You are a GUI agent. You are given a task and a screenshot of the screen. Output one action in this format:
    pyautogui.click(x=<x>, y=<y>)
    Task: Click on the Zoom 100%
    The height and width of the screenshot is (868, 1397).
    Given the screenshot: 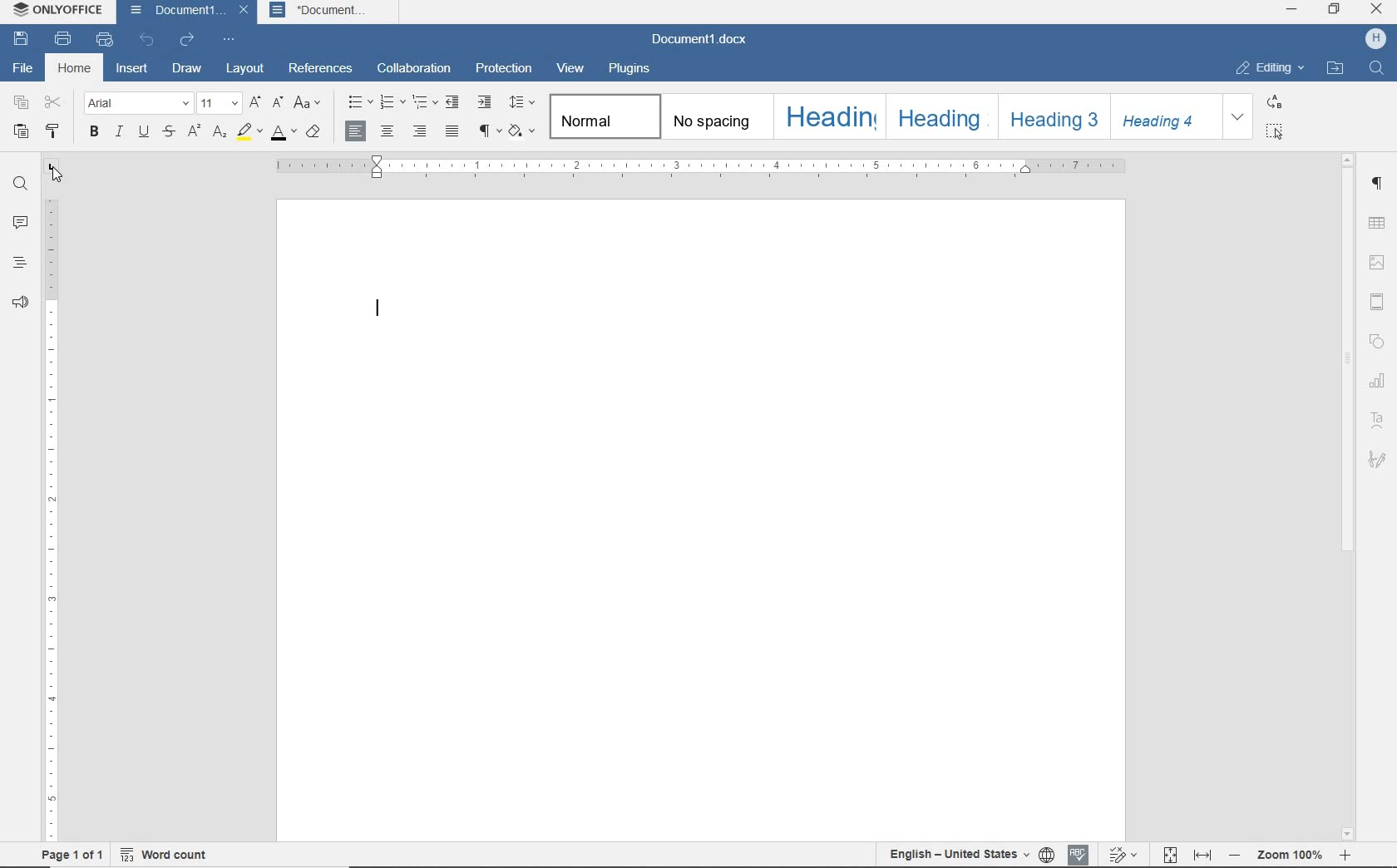 What is the action you would take?
    pyautogui.click(x=1287, y=855)
    